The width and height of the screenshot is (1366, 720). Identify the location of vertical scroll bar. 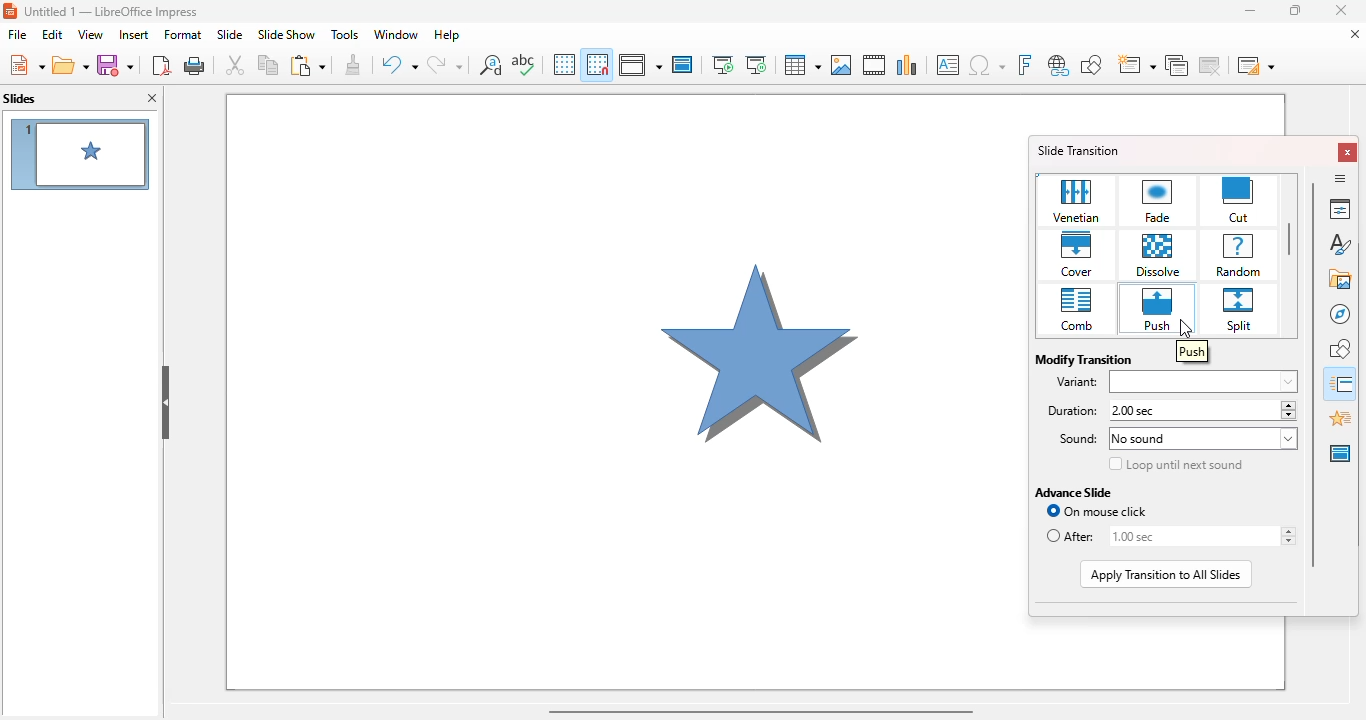
(1291, 240).